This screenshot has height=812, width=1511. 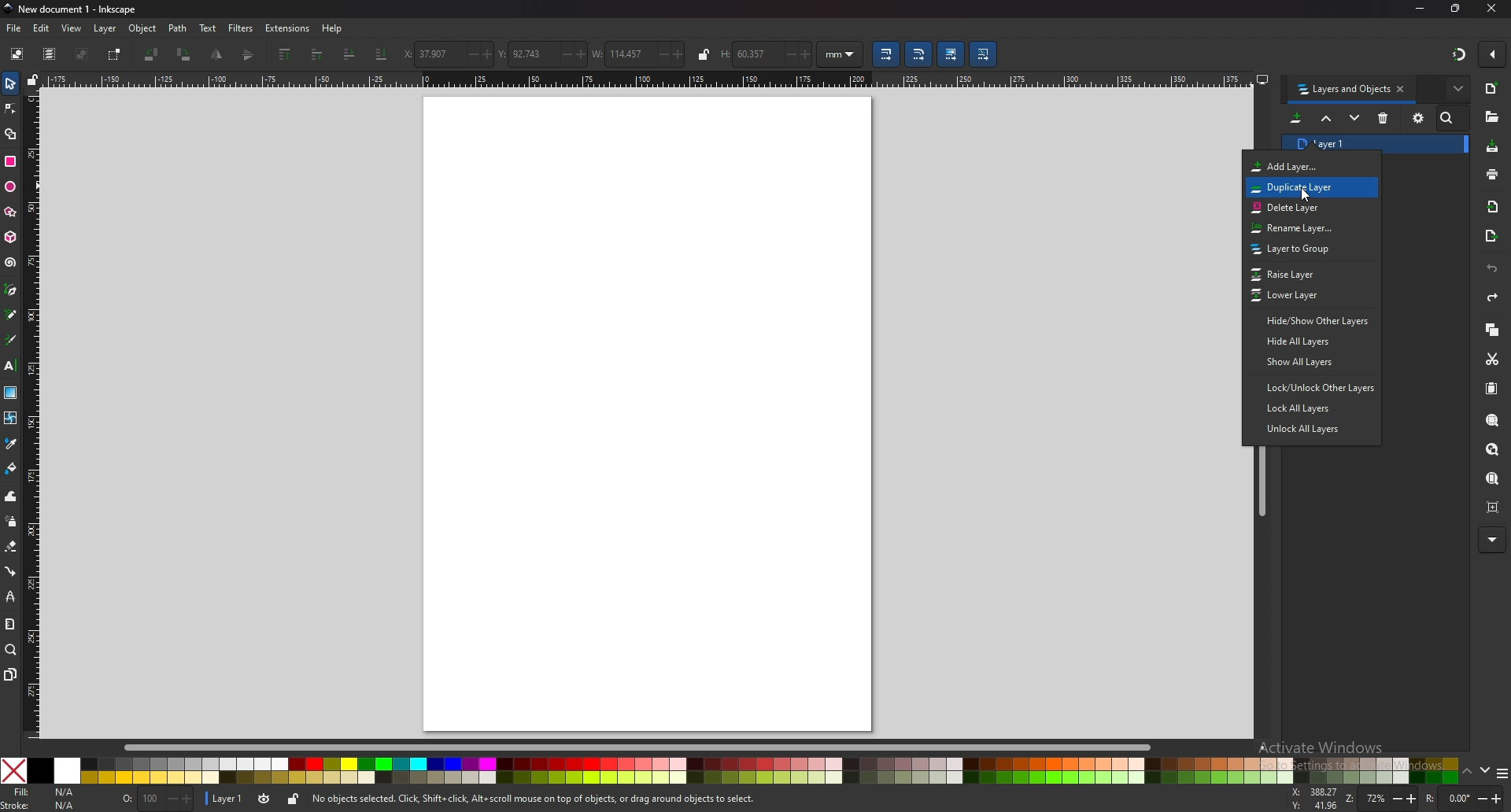 I want to click on pages, so click(x=10, y=674).